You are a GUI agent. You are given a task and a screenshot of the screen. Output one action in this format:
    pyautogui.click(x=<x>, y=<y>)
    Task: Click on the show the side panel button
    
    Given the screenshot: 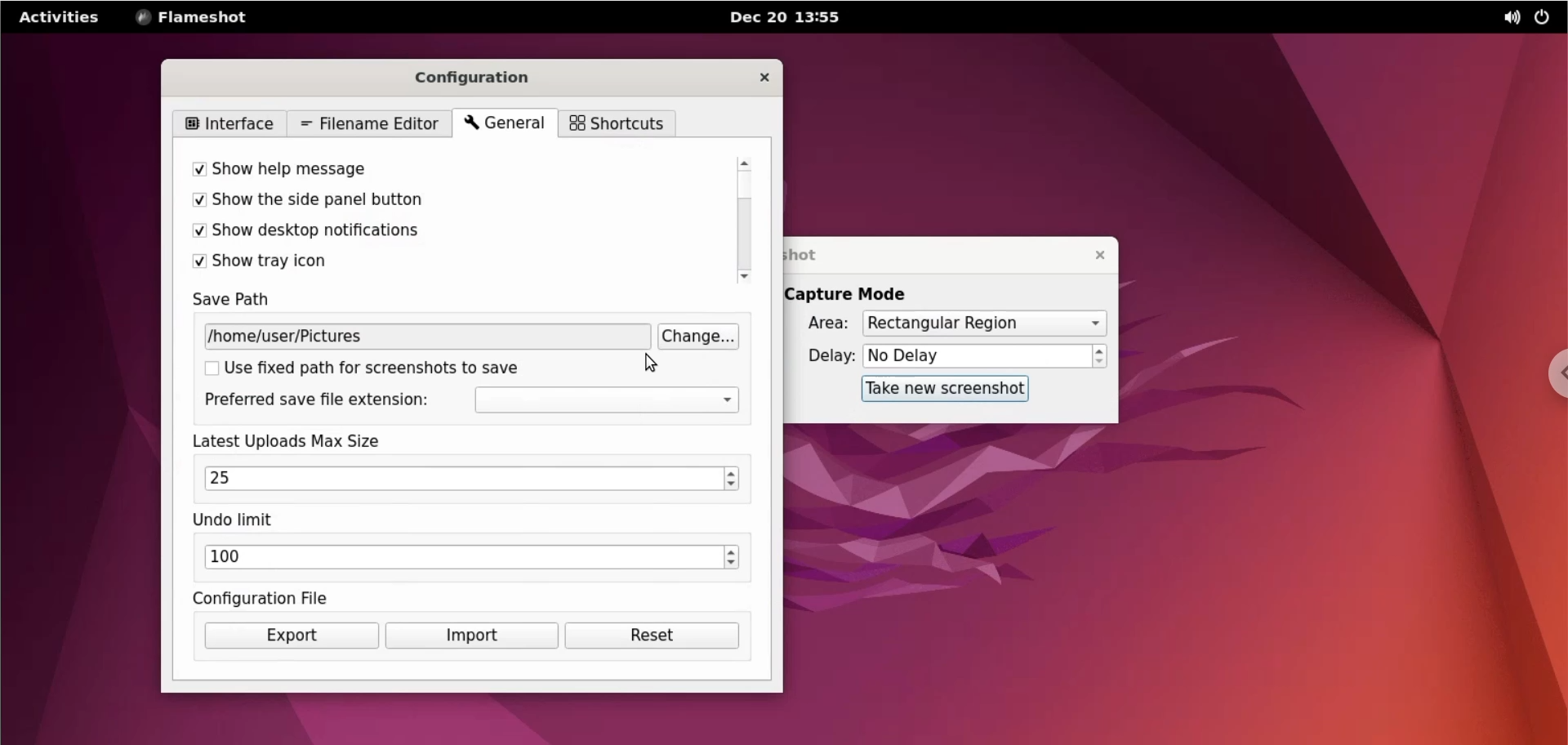 What is the action you would take?
    pyautogui.click(x=447, y=203)
    